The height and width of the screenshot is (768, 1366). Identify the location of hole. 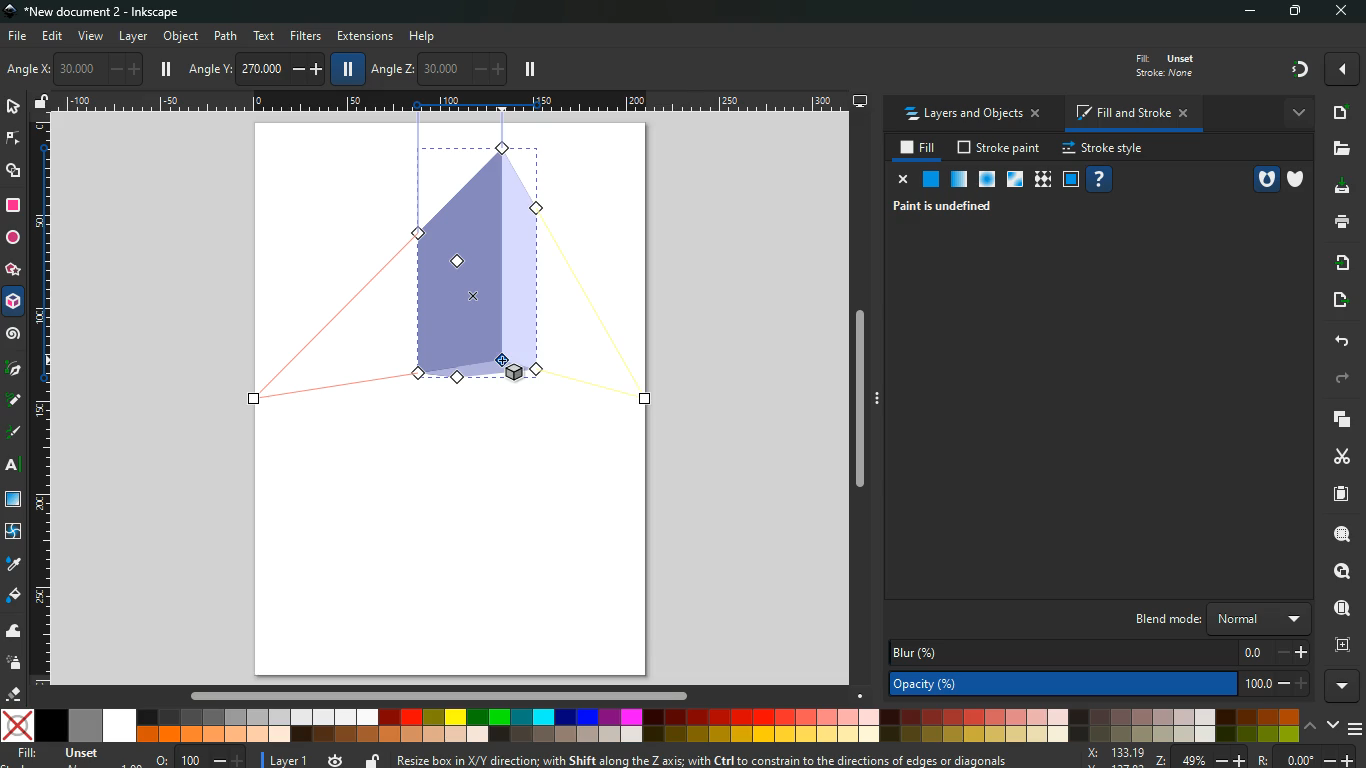
(1265, 179).